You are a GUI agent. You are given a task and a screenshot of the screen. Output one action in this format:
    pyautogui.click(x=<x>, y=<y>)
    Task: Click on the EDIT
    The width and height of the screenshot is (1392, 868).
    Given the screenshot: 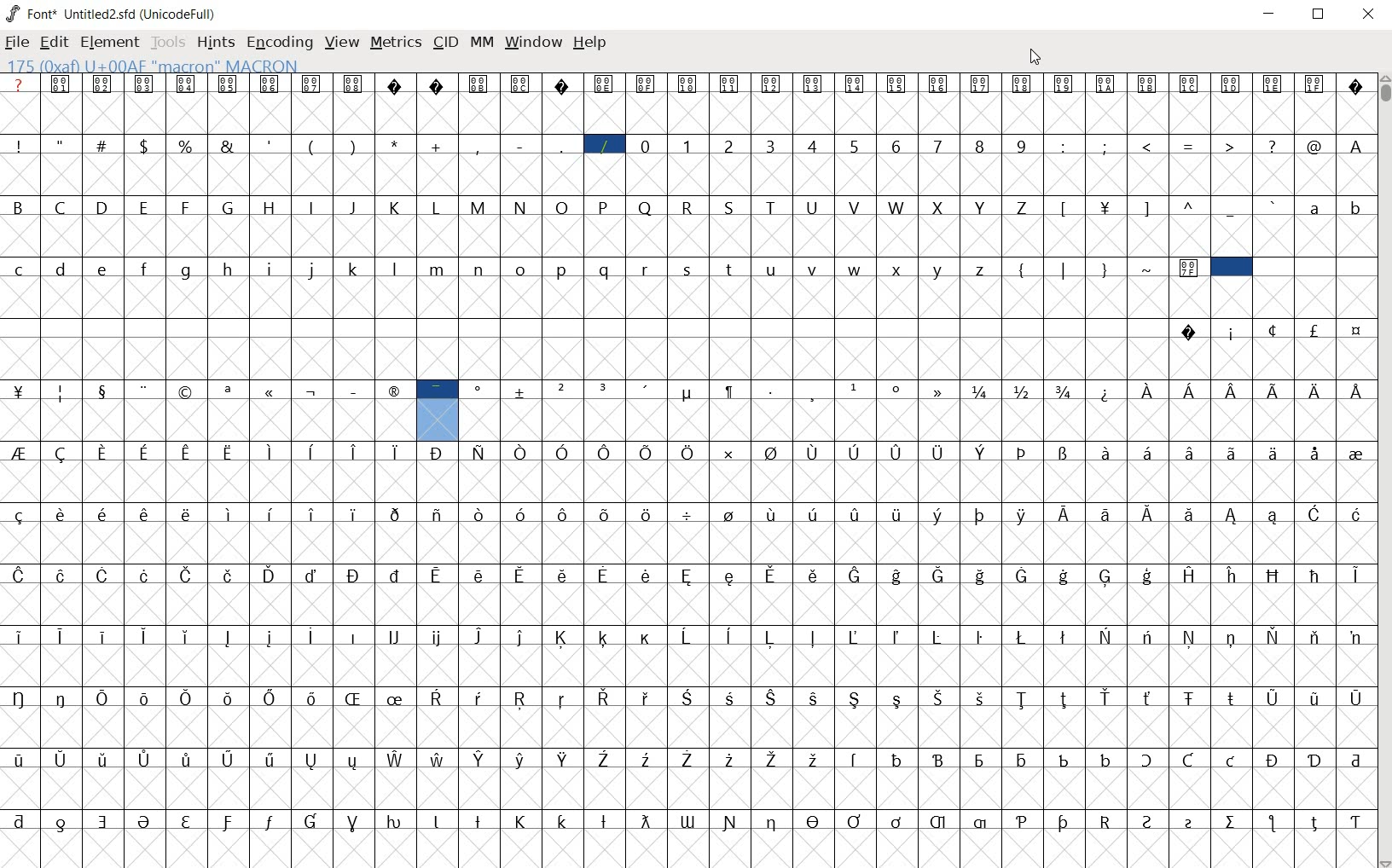 What is the action you would take?
    pyautogui.click(x=54, y=42)
    